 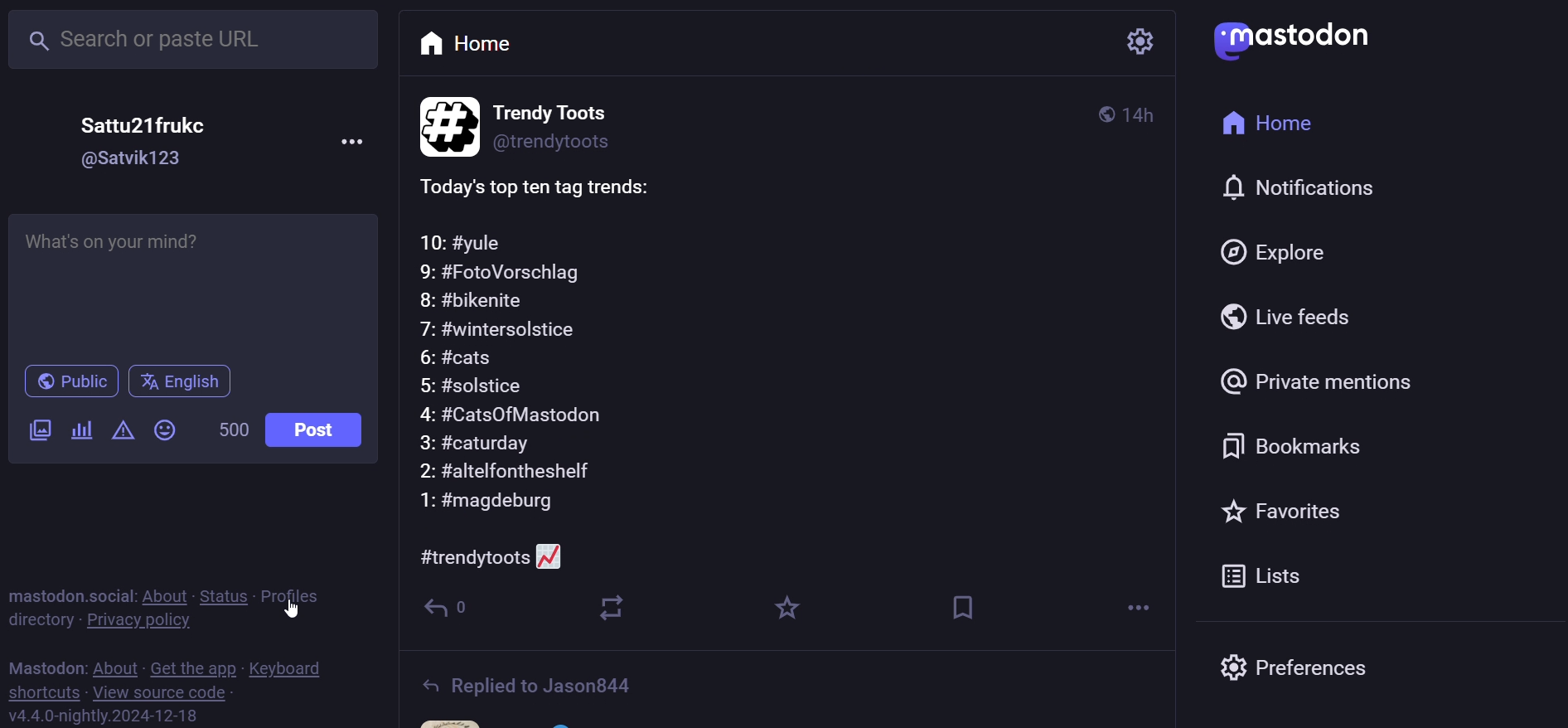 I want to click on 500, so click(x=232, y=429).